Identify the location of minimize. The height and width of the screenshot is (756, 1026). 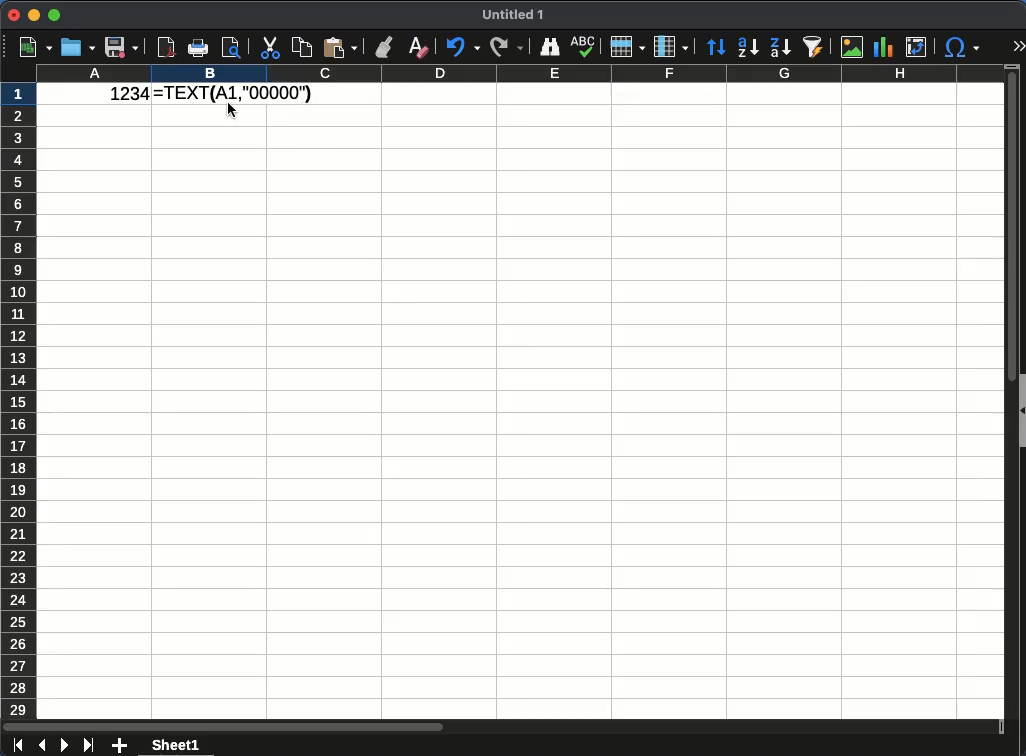
(34, 14).